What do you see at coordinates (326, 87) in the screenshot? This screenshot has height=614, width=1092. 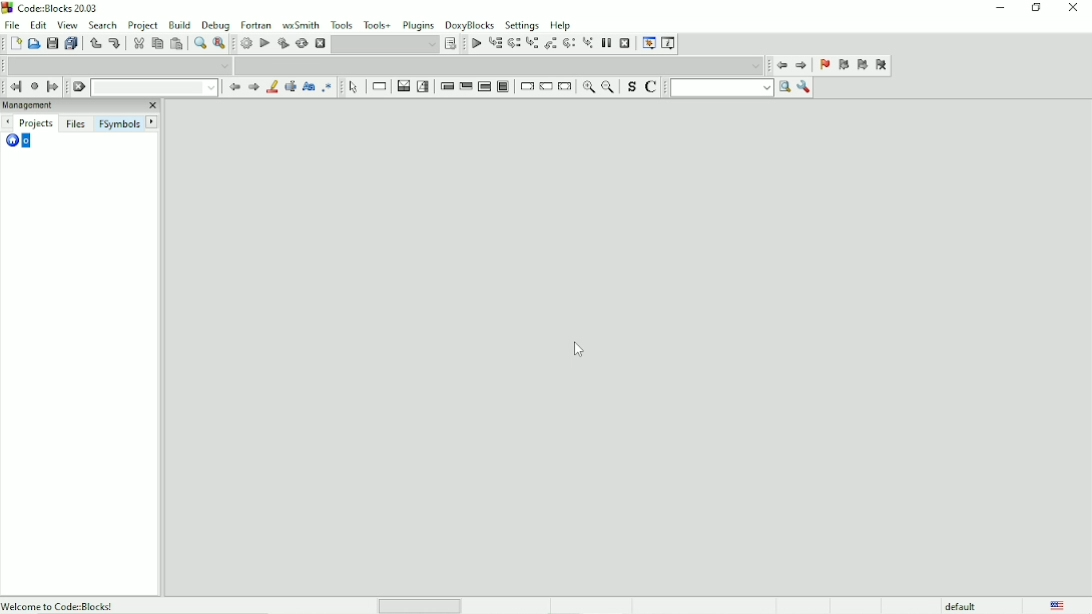 I see `Use regex` at bounding box center [326, 87].